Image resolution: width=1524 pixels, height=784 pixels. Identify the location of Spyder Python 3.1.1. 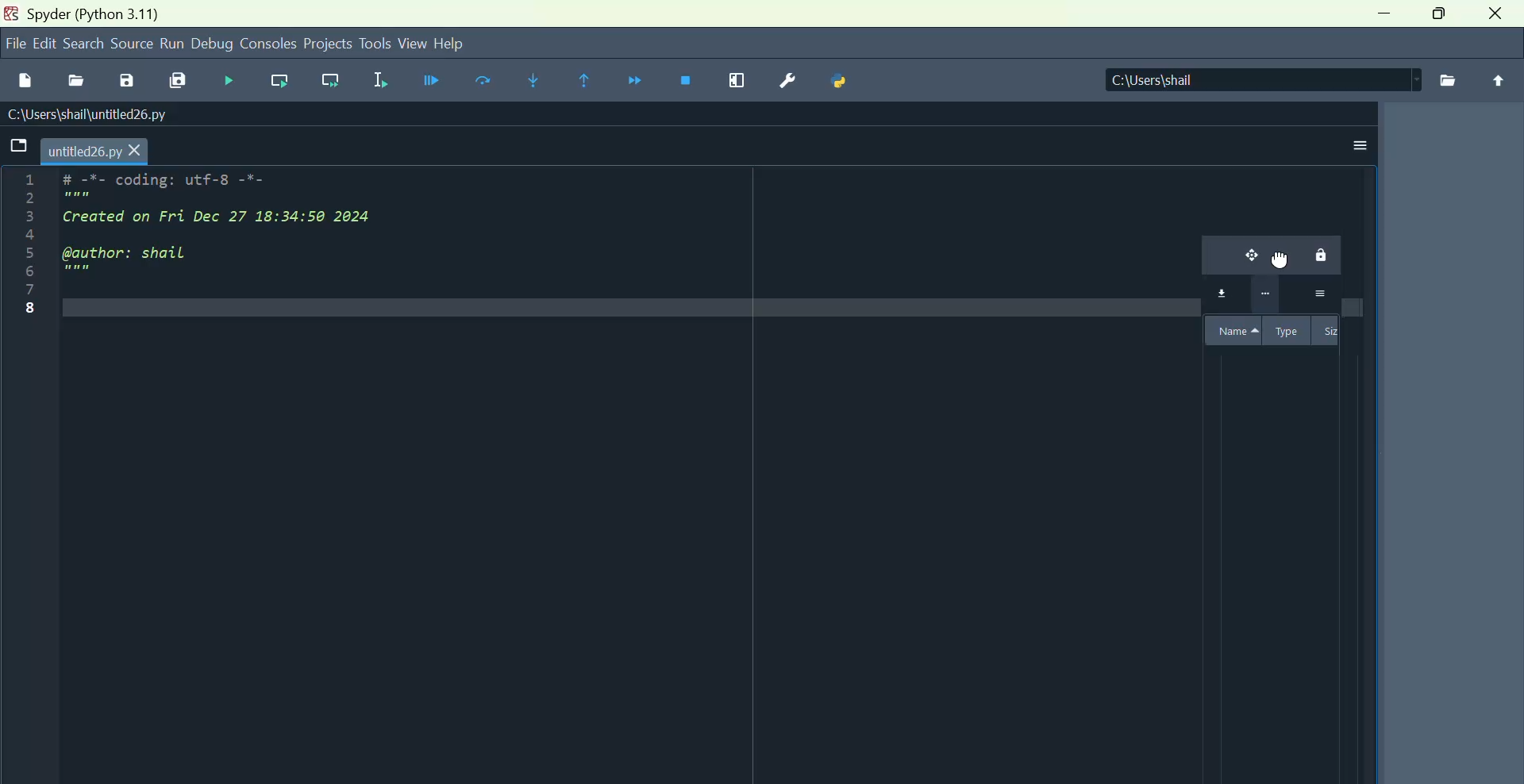
(92, 13).